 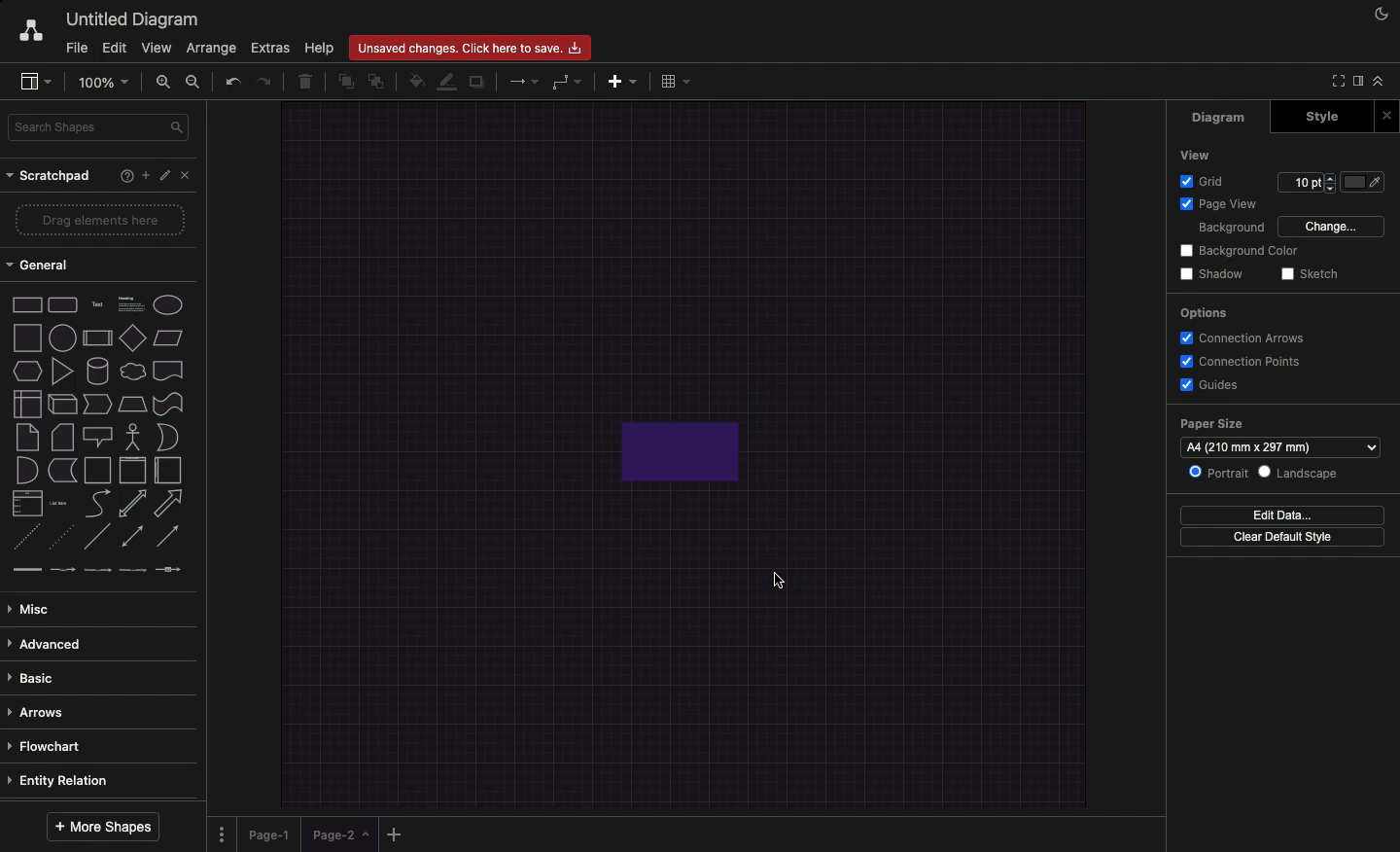 I want to click on Search shapes, so click(x=101, y=125).